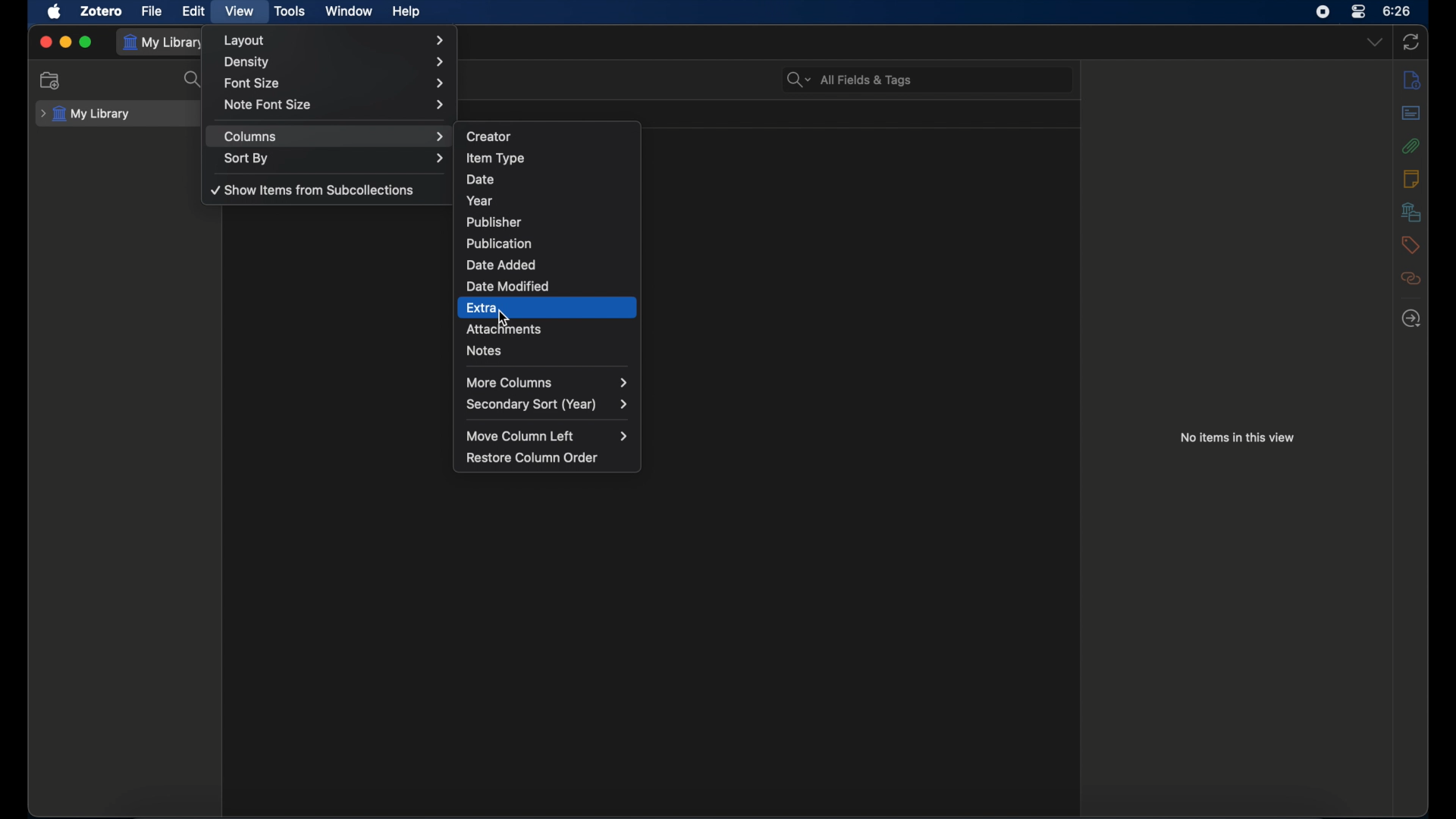  Describe the element at coordinates (1359, 11) in the screenshot. I see `control center` at that location.